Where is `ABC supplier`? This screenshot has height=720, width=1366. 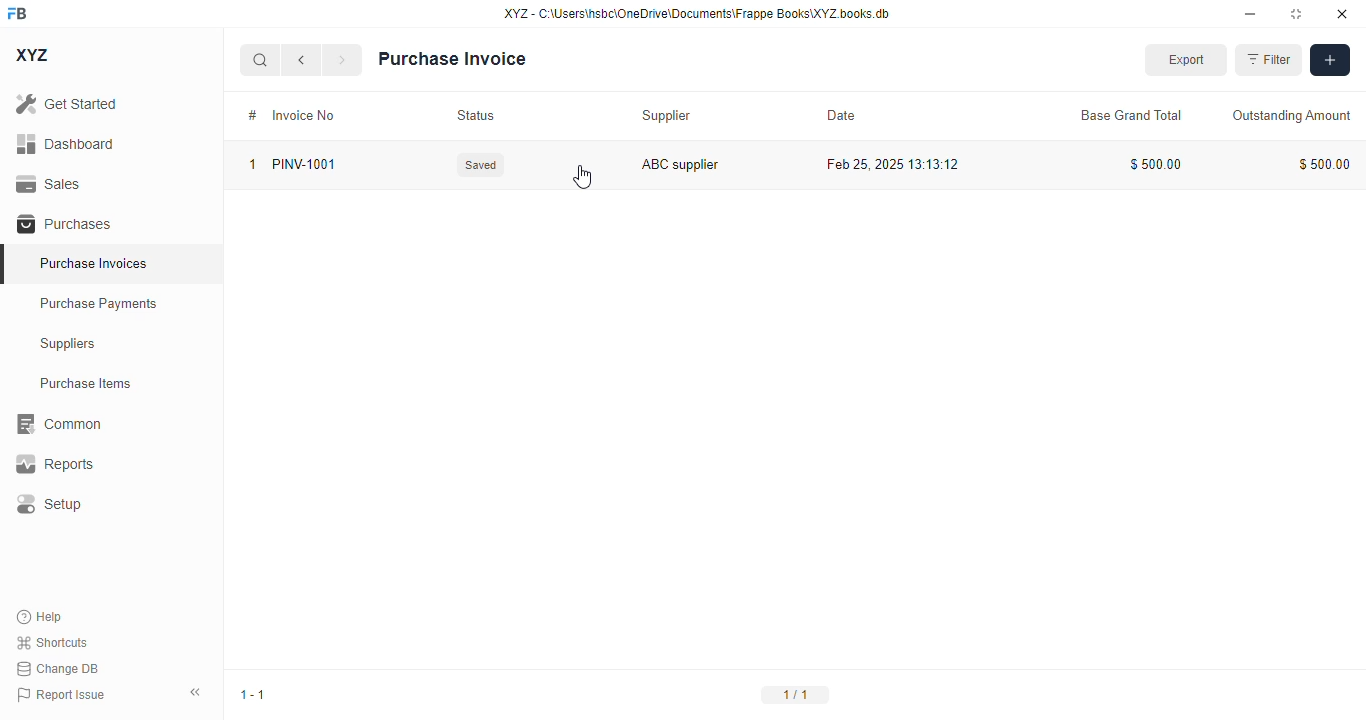 ABC supplier is located at coordinates (680, 164).